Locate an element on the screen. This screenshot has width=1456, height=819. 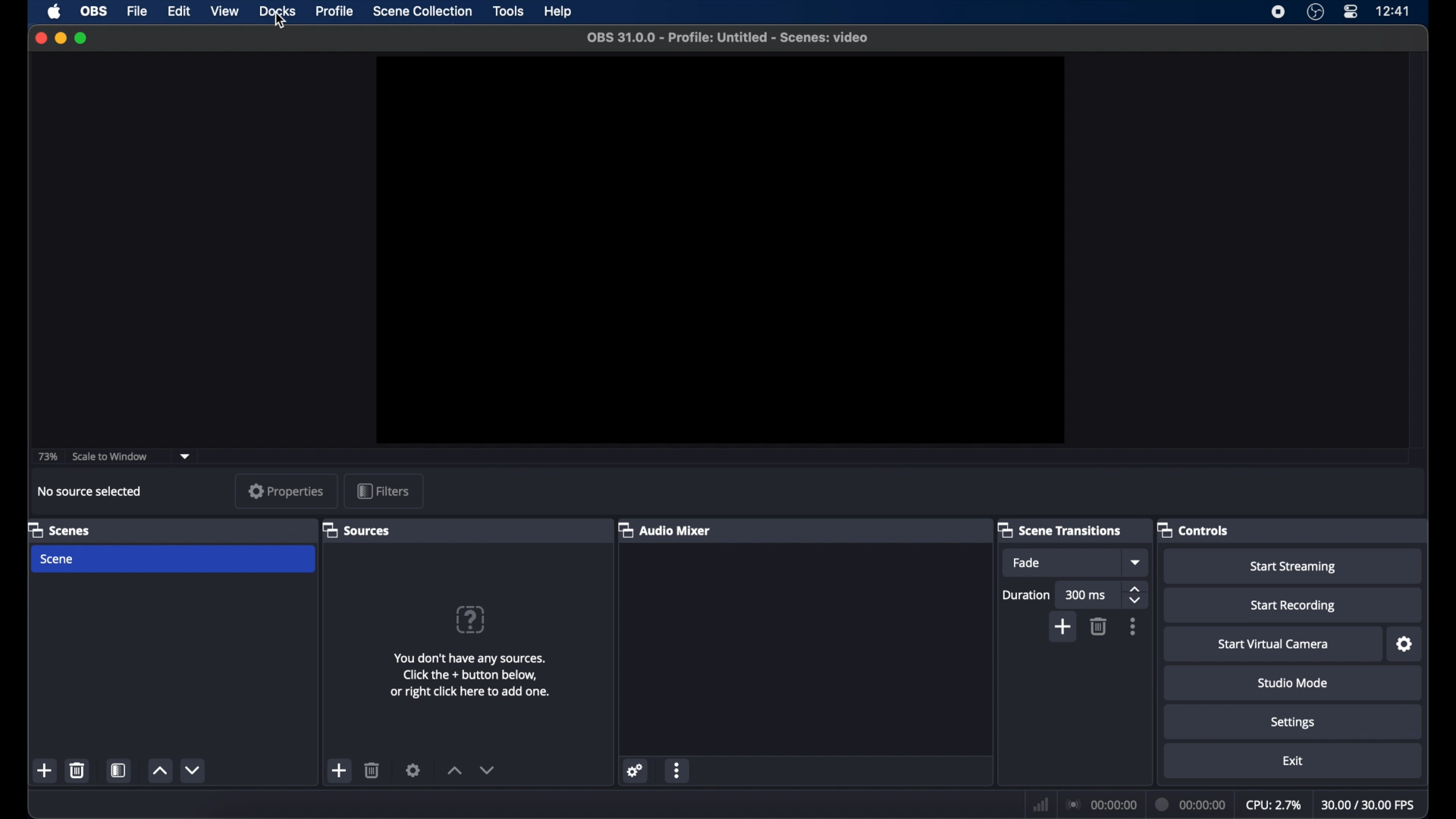
minimize is located at coordinates (60, 38).